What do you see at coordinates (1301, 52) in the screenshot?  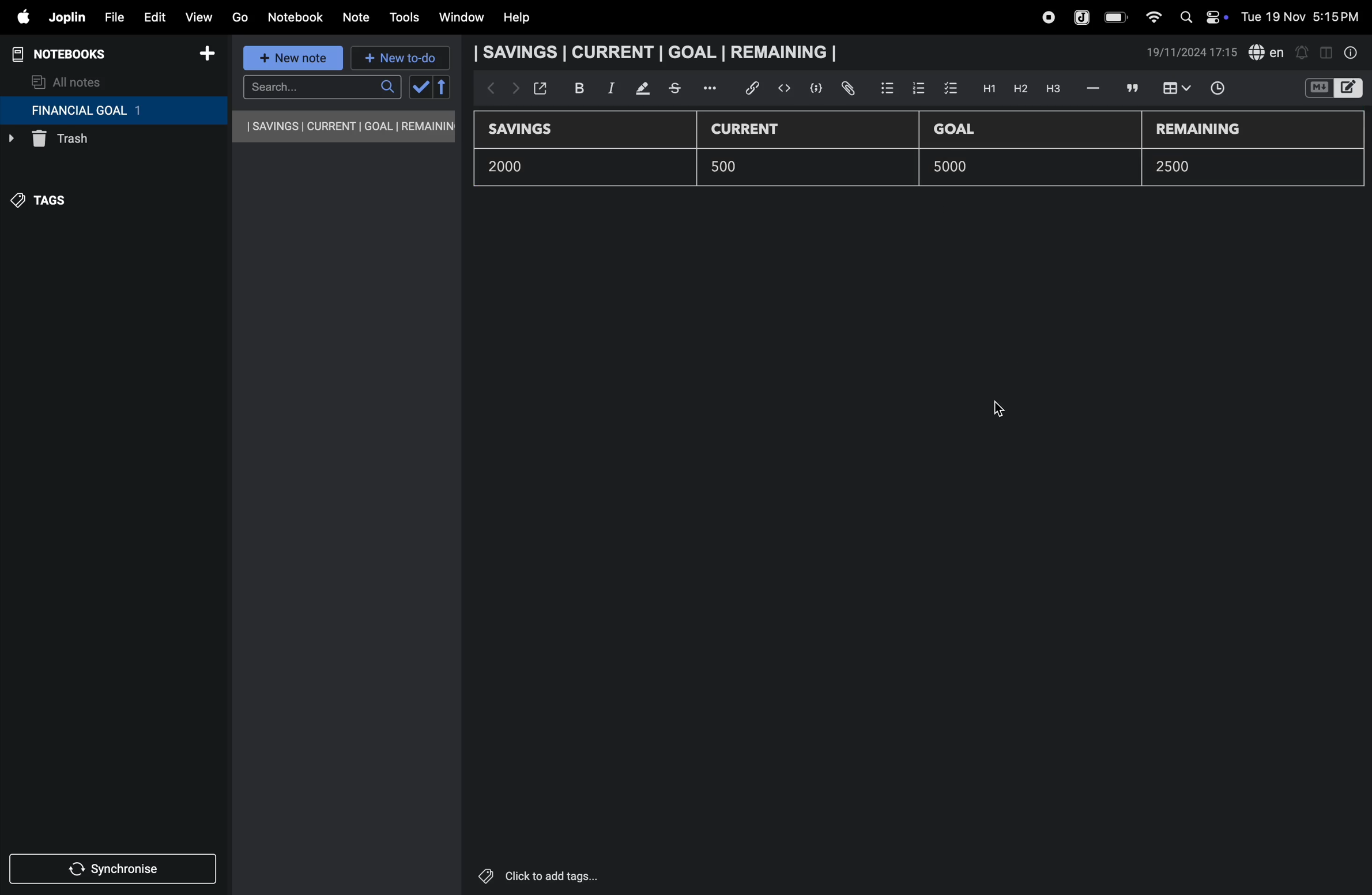 I see `alert` at bounding box center [1301, 52].